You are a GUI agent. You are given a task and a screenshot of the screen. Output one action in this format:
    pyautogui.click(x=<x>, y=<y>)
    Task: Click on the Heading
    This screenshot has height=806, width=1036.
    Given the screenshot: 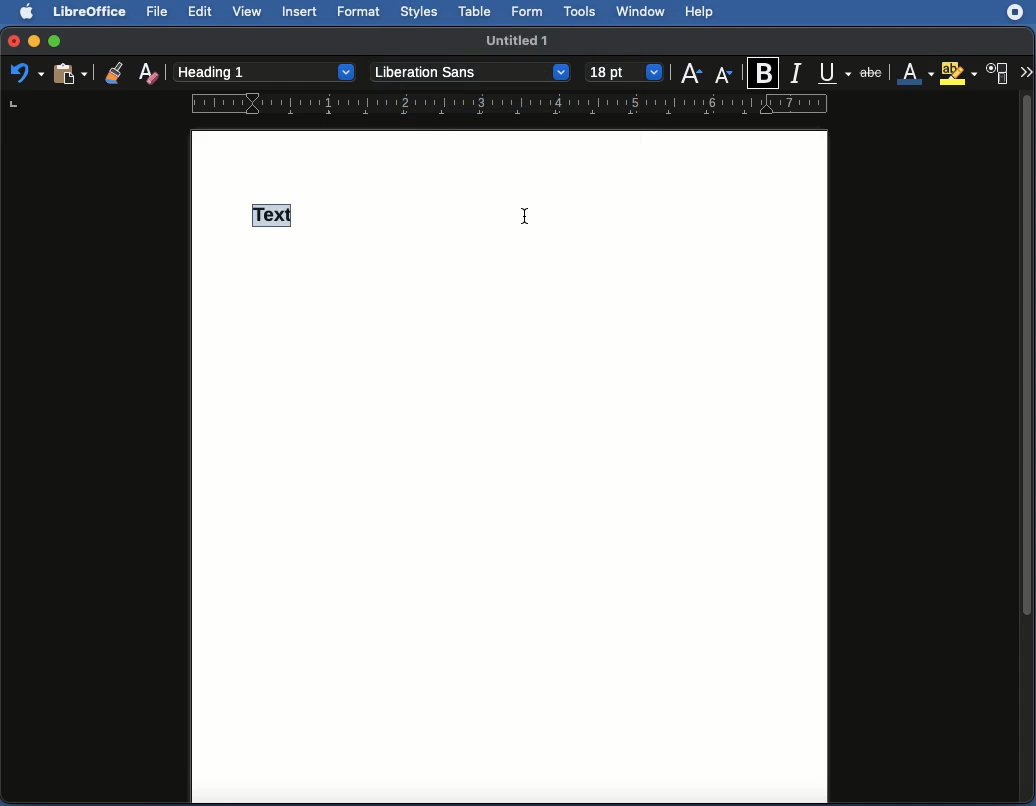 What is the action you would take?
    pyautogui.click(x=278, y=215)
    